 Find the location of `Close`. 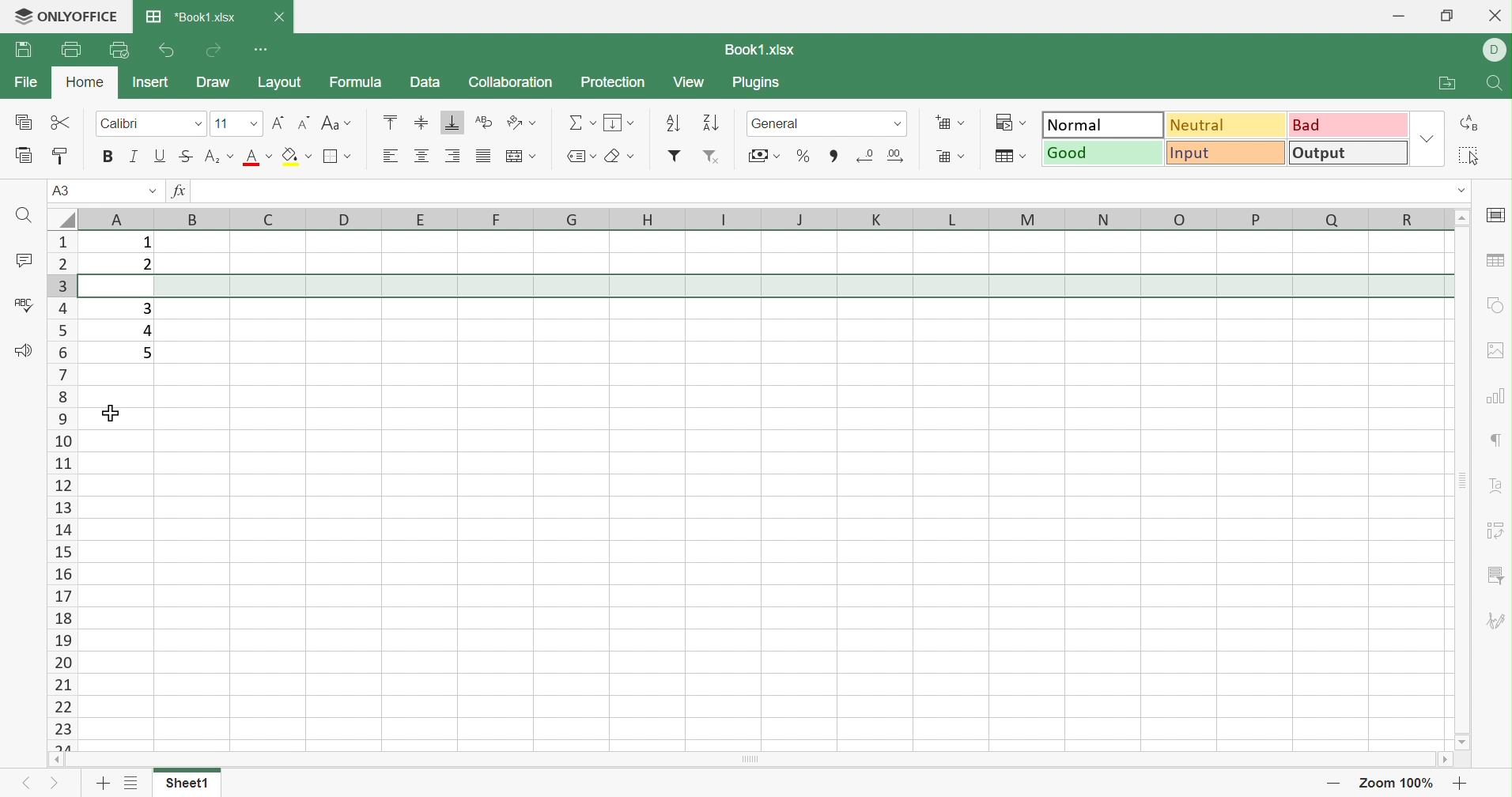

Close is located at coordinates (279, 15).